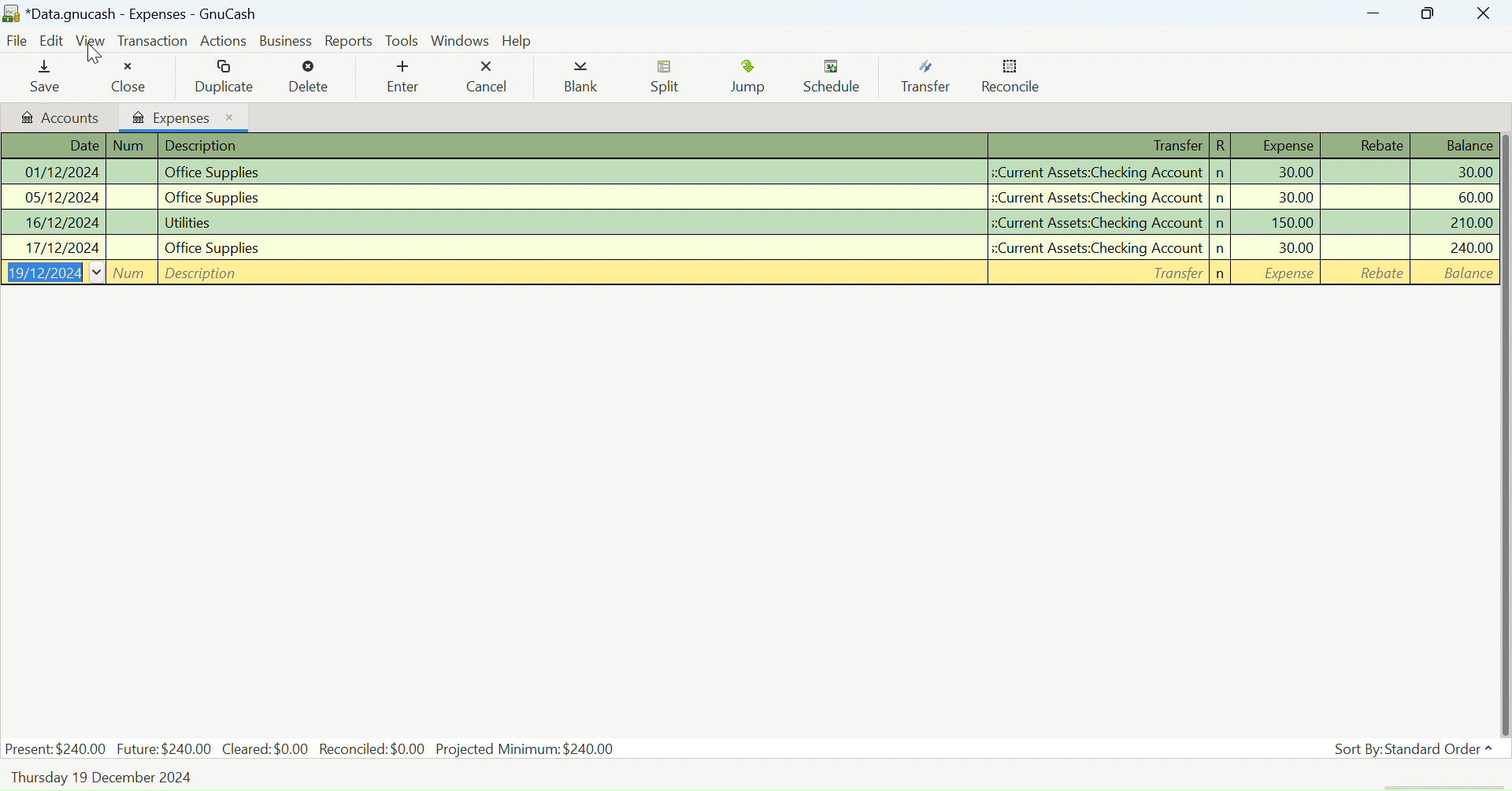 The height and width of the screenshot is (791, 1512). Describe the element at coordinates (103, 778) in the screenshot. I see `Thursday, 19 December 2024` at that location.